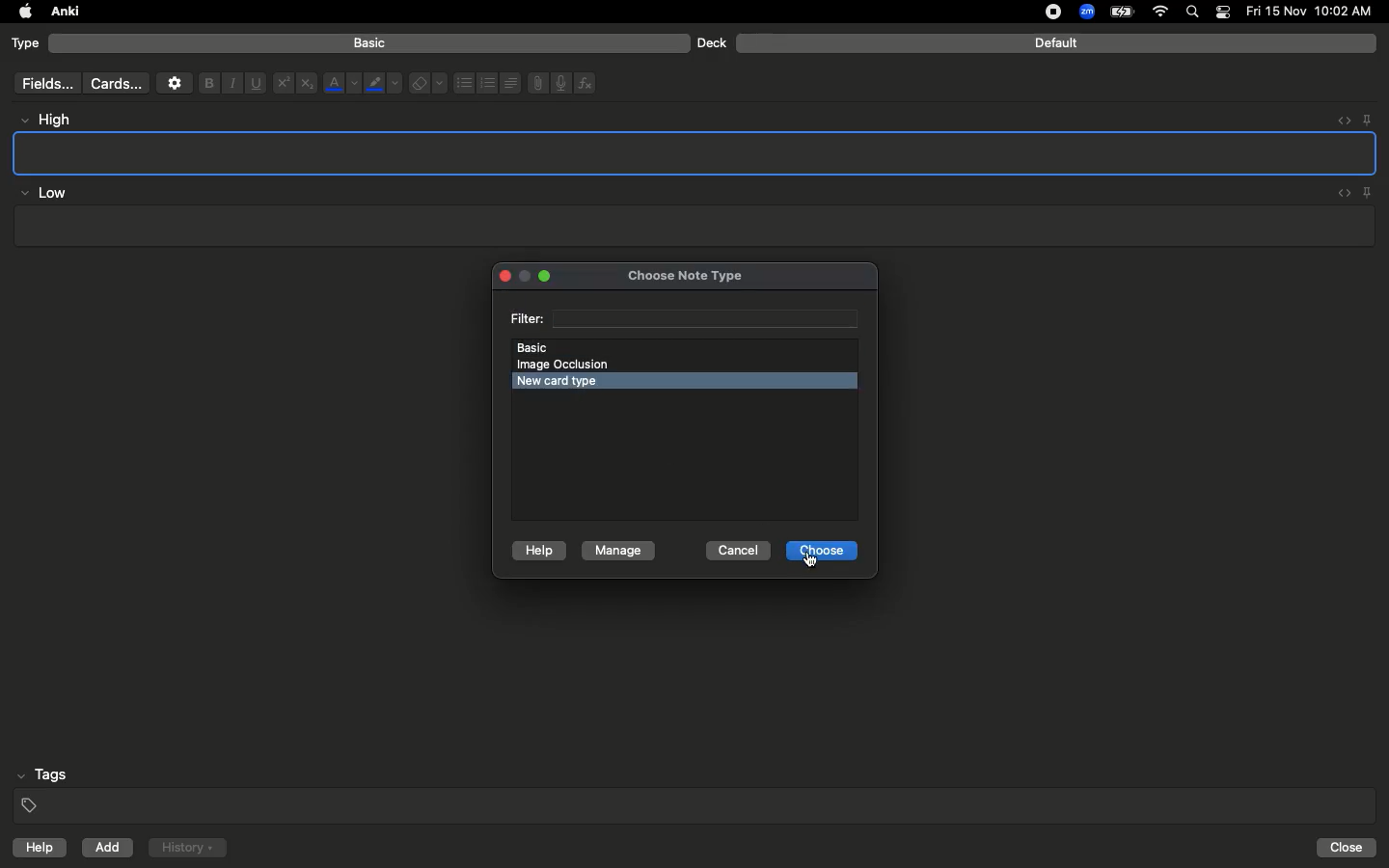  Describe the element at coordinates (546, 277) in the screenshot. I see `maximize` at that location.